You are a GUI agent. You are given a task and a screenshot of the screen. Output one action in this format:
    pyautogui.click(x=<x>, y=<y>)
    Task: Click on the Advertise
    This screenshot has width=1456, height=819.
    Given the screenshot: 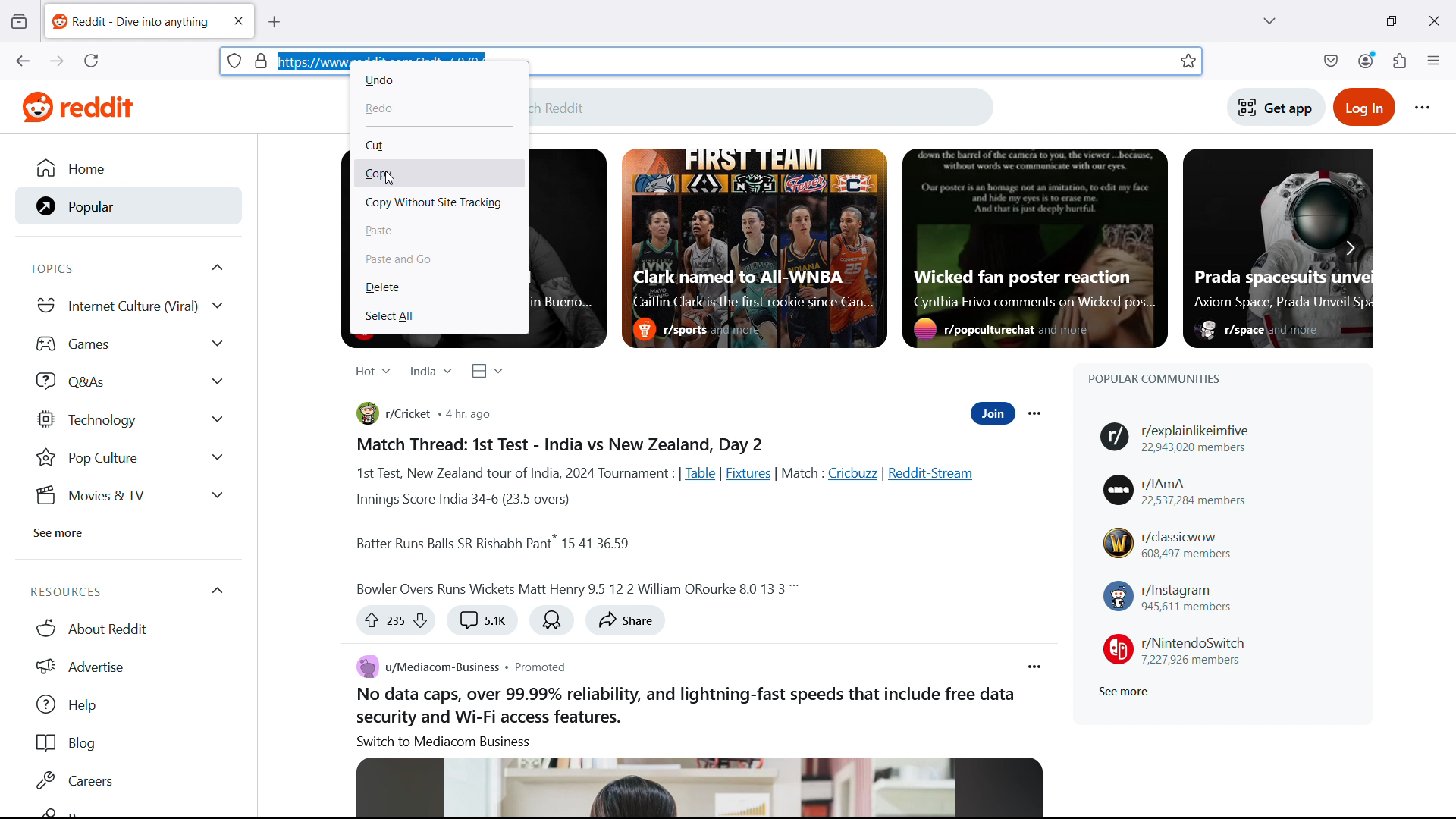 What is the action you would take?
    pyautogui.click(x=129, y=667)
    